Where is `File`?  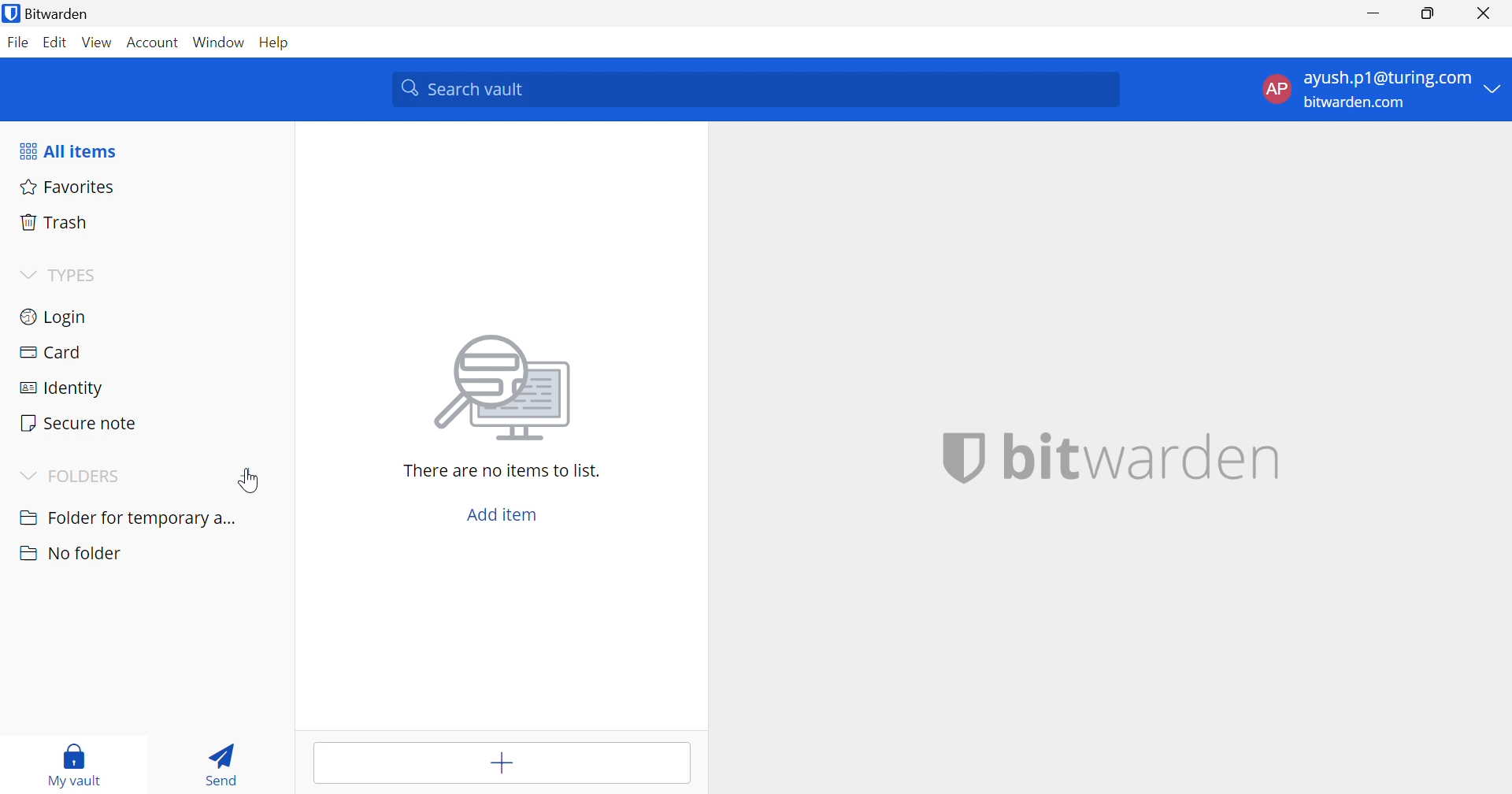
File is located at coordinates (18, 39).